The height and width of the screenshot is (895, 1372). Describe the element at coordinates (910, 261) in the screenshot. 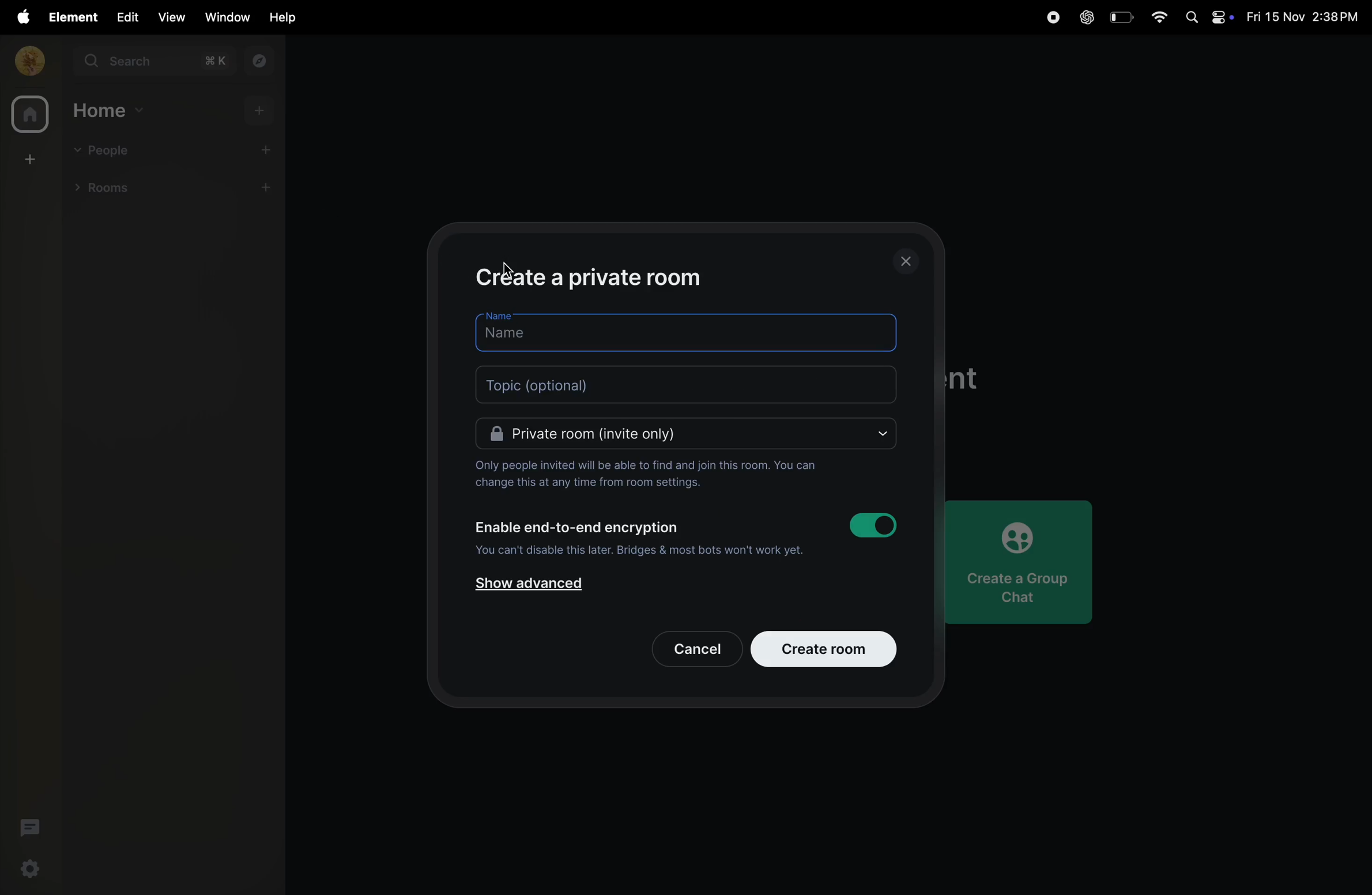

I see `close` at that location.